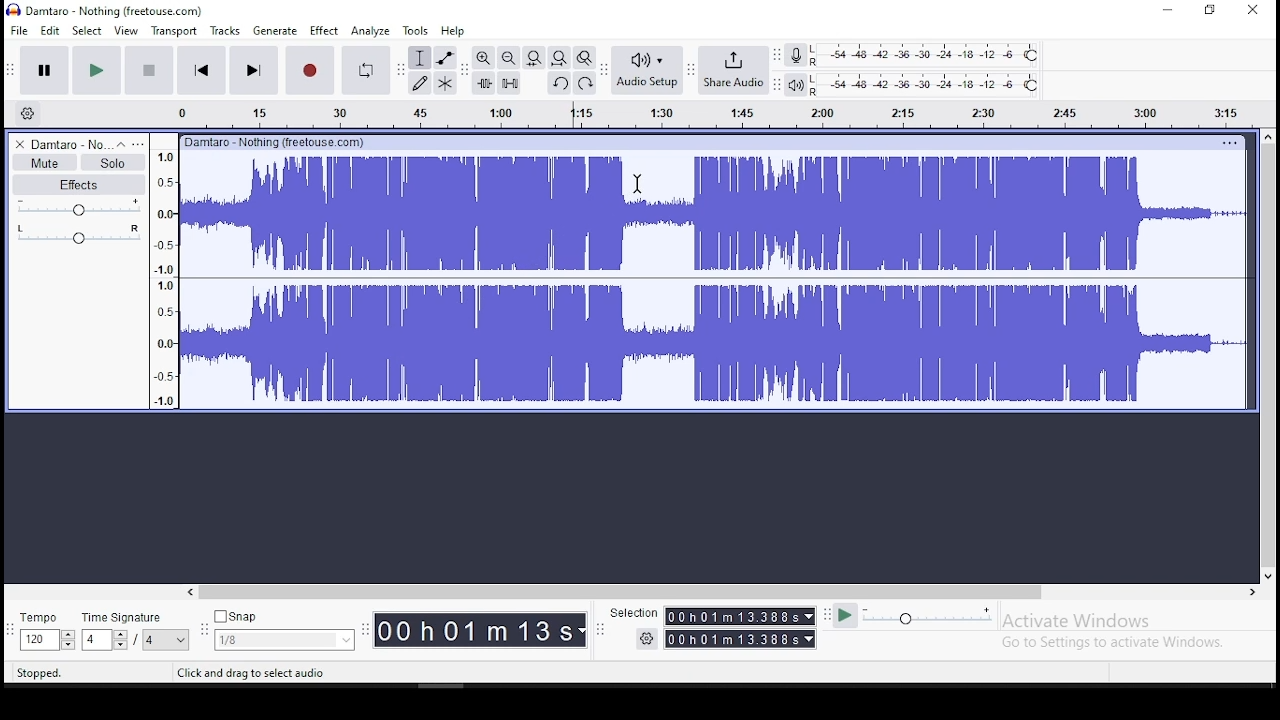 Image resolution: width=1280 pixels, height=720 pixels. What do you see at coordinates (44, 162) in the screenshot?
I see `mute` at bounding box center [44, 162].